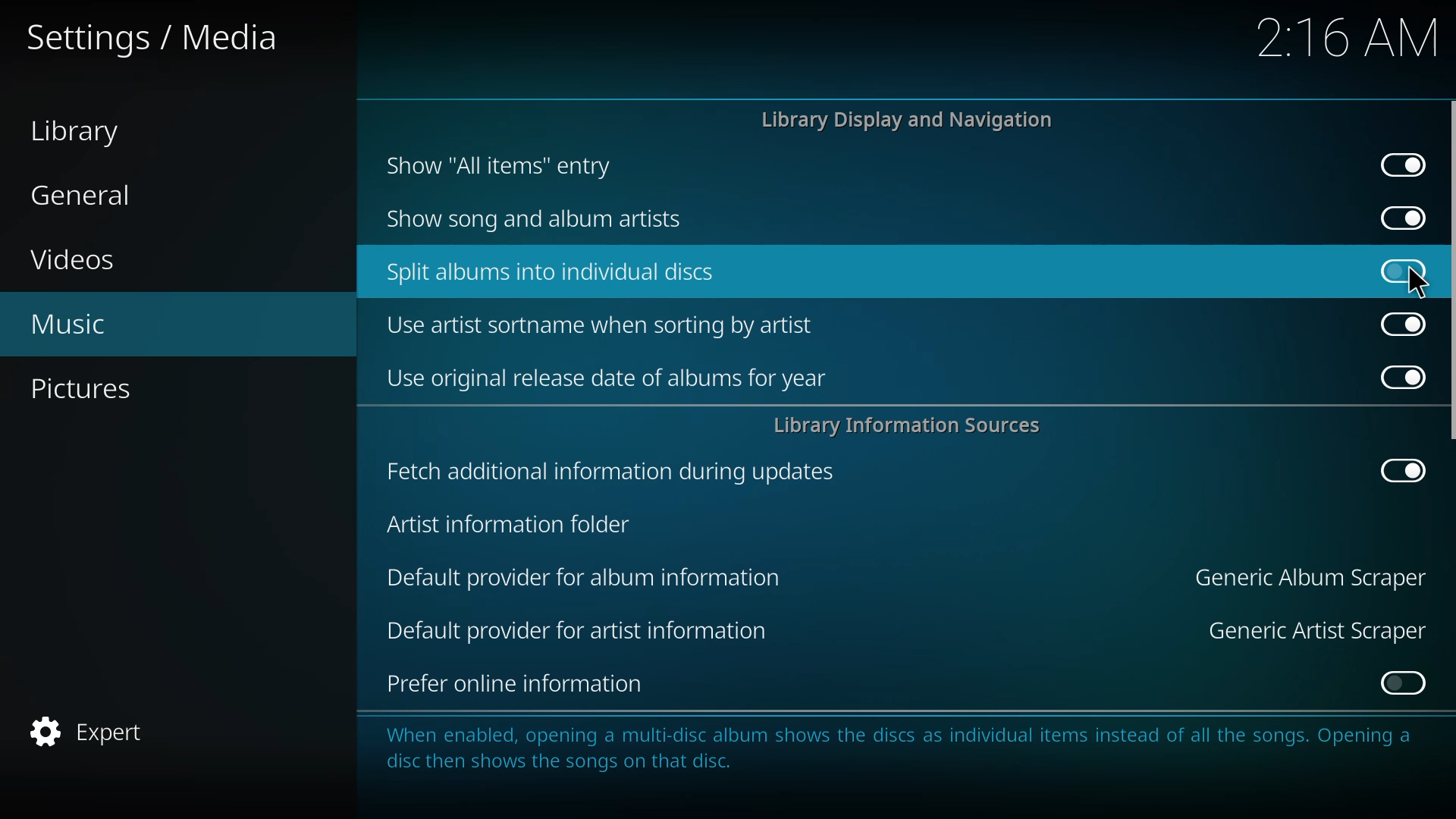 The height and width of the screenshot is (819, 1456). Describe the element at coordinates (513, 686) in the screenshot. I see `prefer online information` at that location.